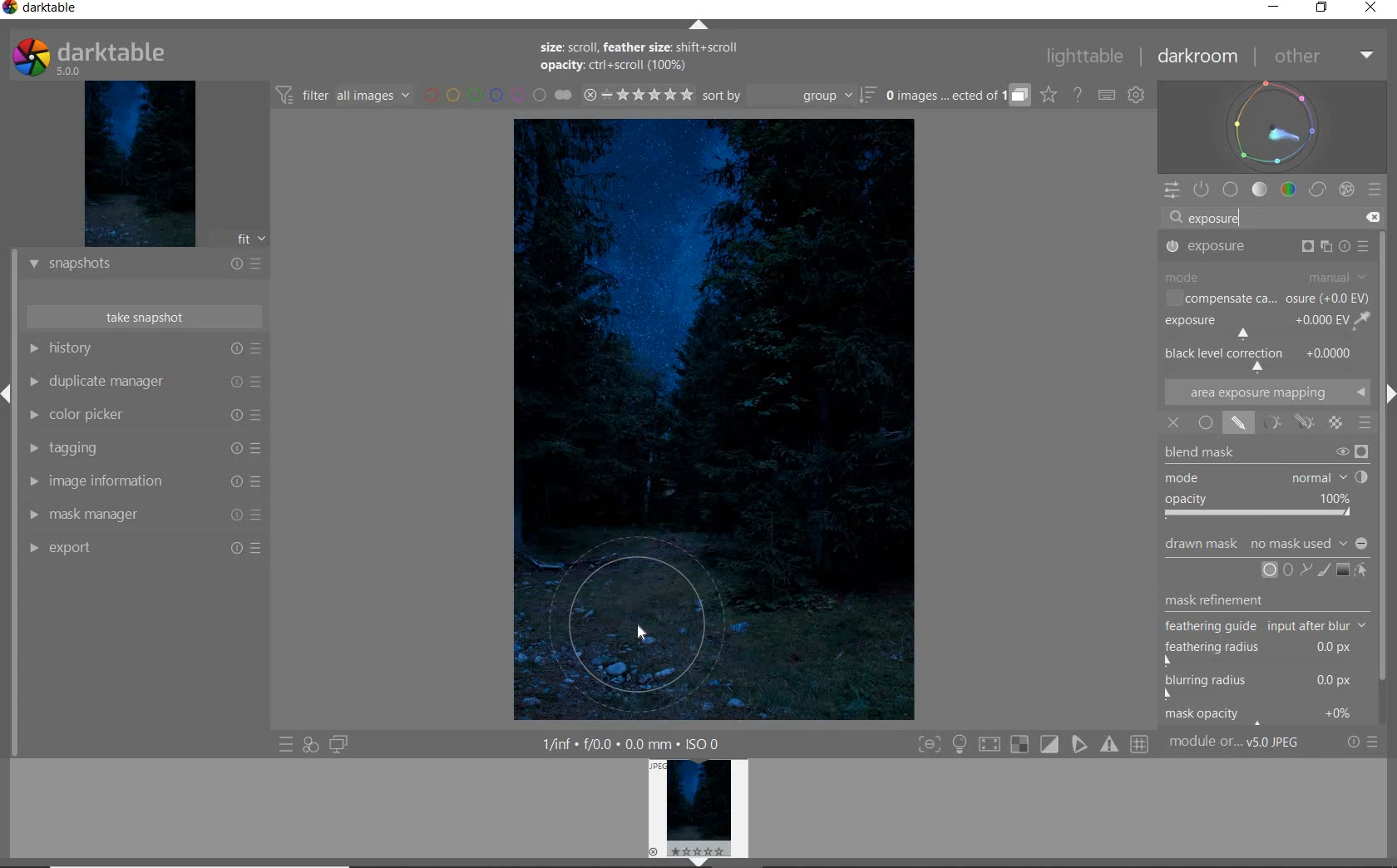 This screenshot has width=1397, height=868. What do you see at coordinates (287, 745) in the screenshot?
I see `QUICK ACCESS TO PRESET` at bounding box center [287, 745].